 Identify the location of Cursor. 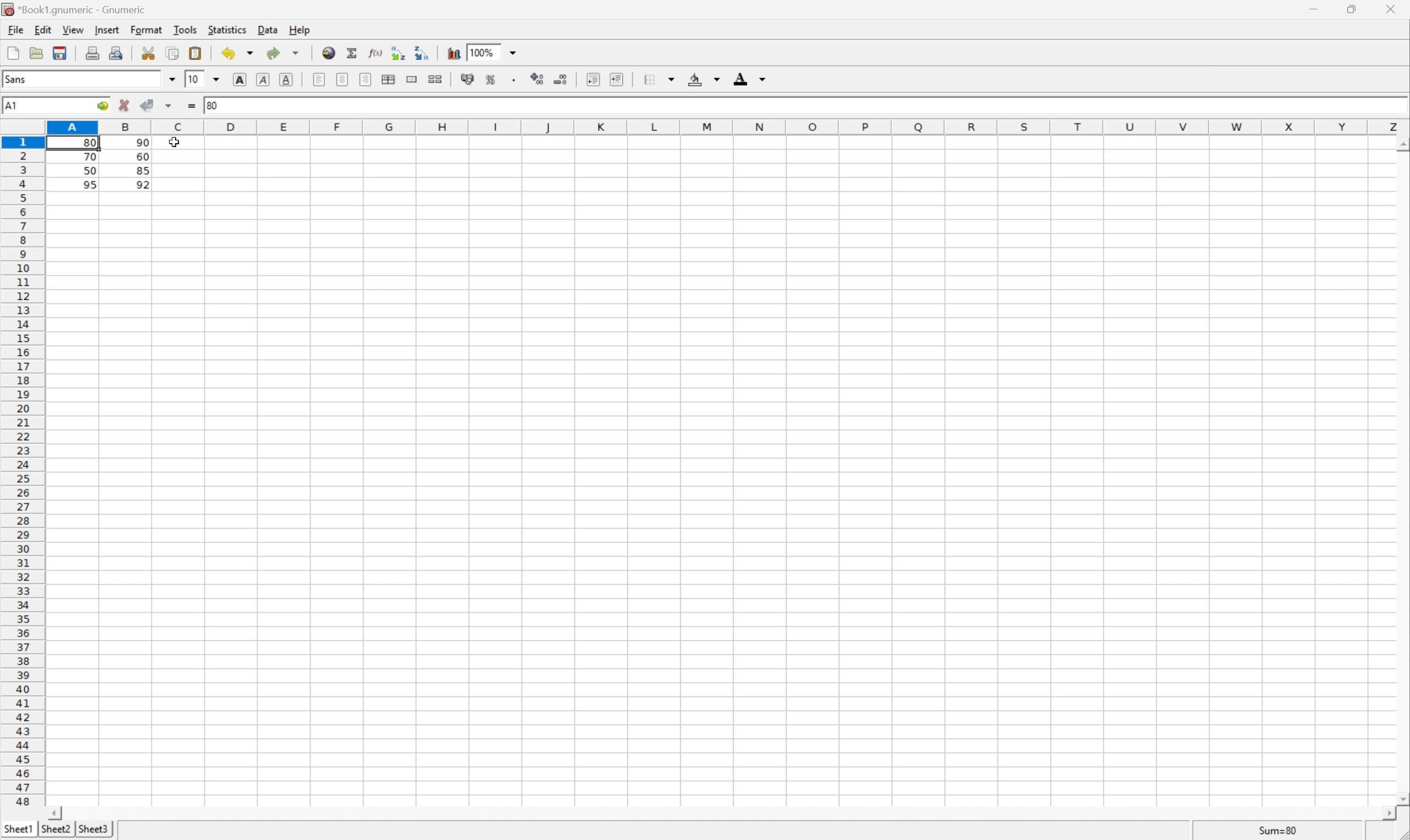
(176, 143).